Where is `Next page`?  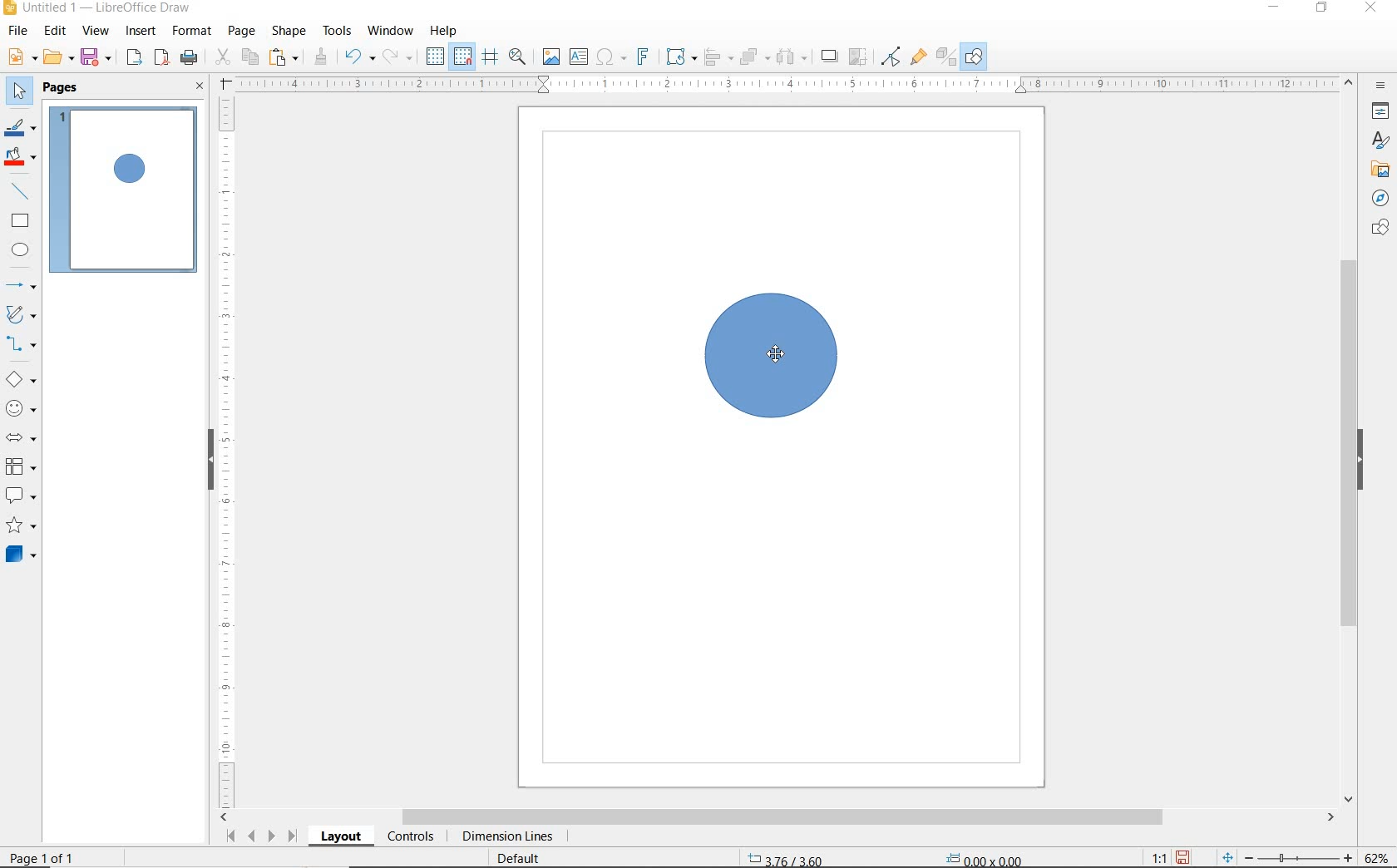
Next page is located at coordinates (272, 836).